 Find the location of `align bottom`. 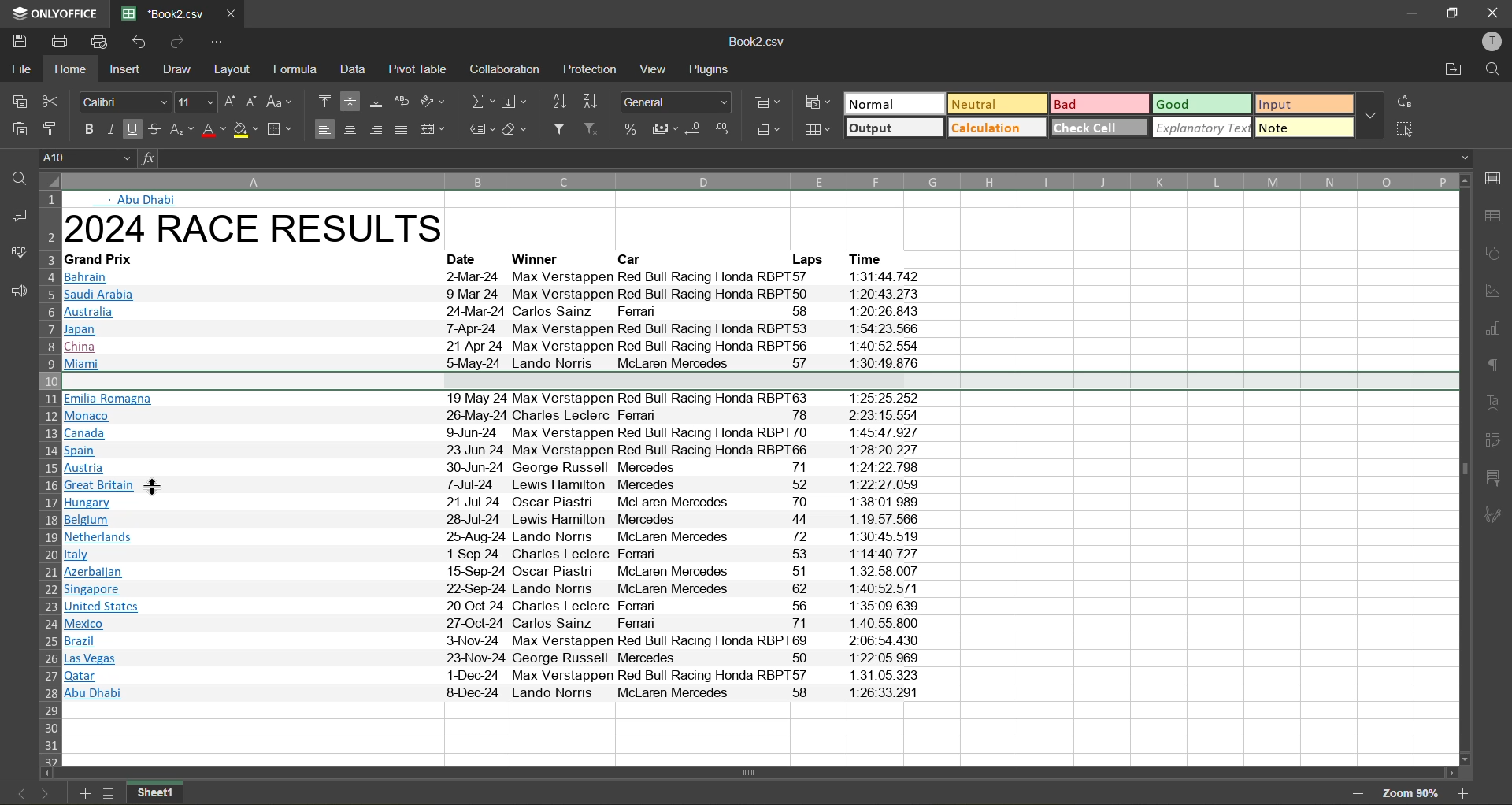

align bottom is located at coordinates (375, 102).